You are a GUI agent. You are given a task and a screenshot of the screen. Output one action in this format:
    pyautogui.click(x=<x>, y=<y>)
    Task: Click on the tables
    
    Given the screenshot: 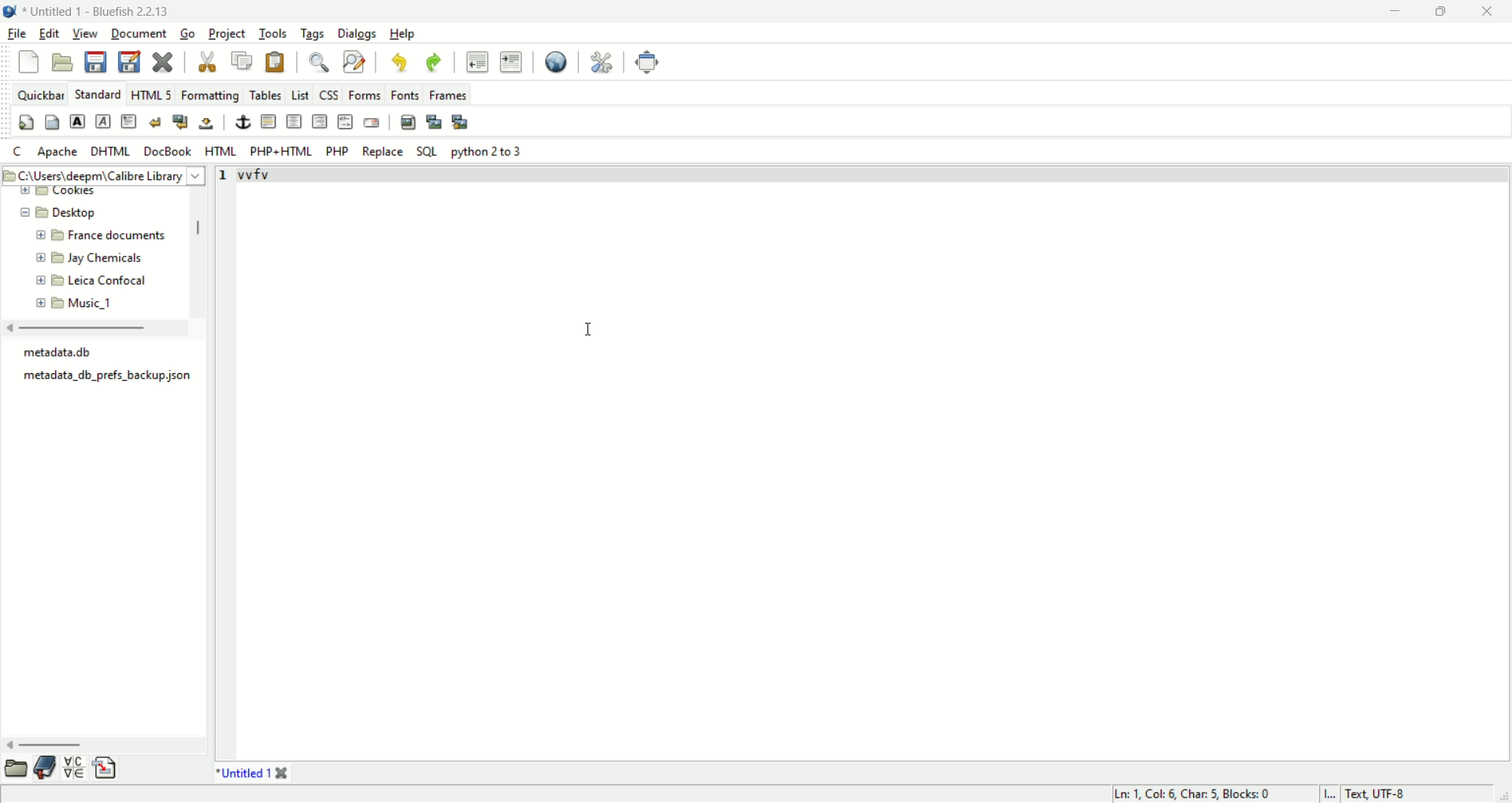 What is the action you would take?
    pyautogui.click(x=265, y=94)
    